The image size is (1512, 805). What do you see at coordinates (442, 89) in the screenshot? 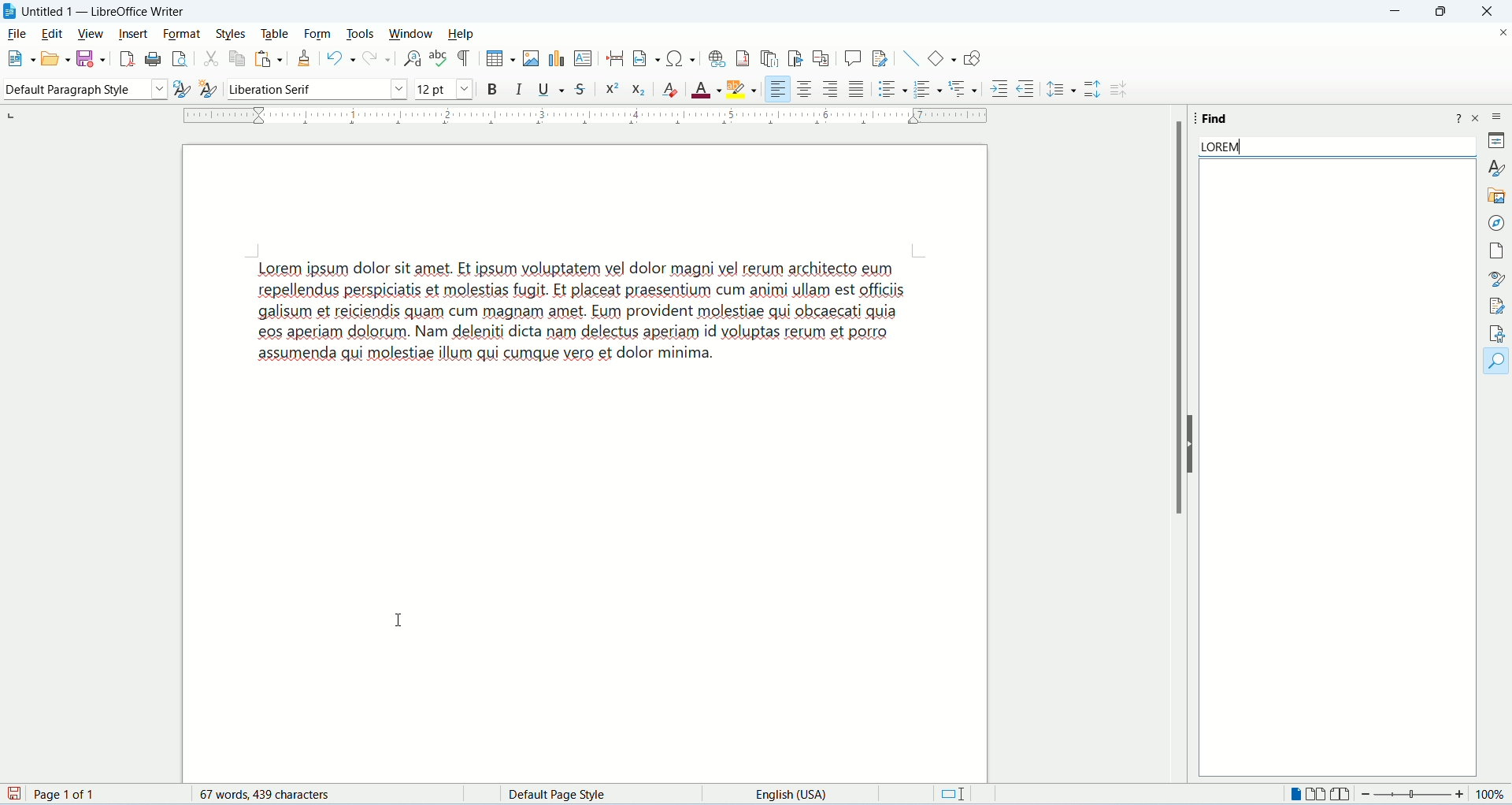
I see `font size` at bounding box center [442, 89].